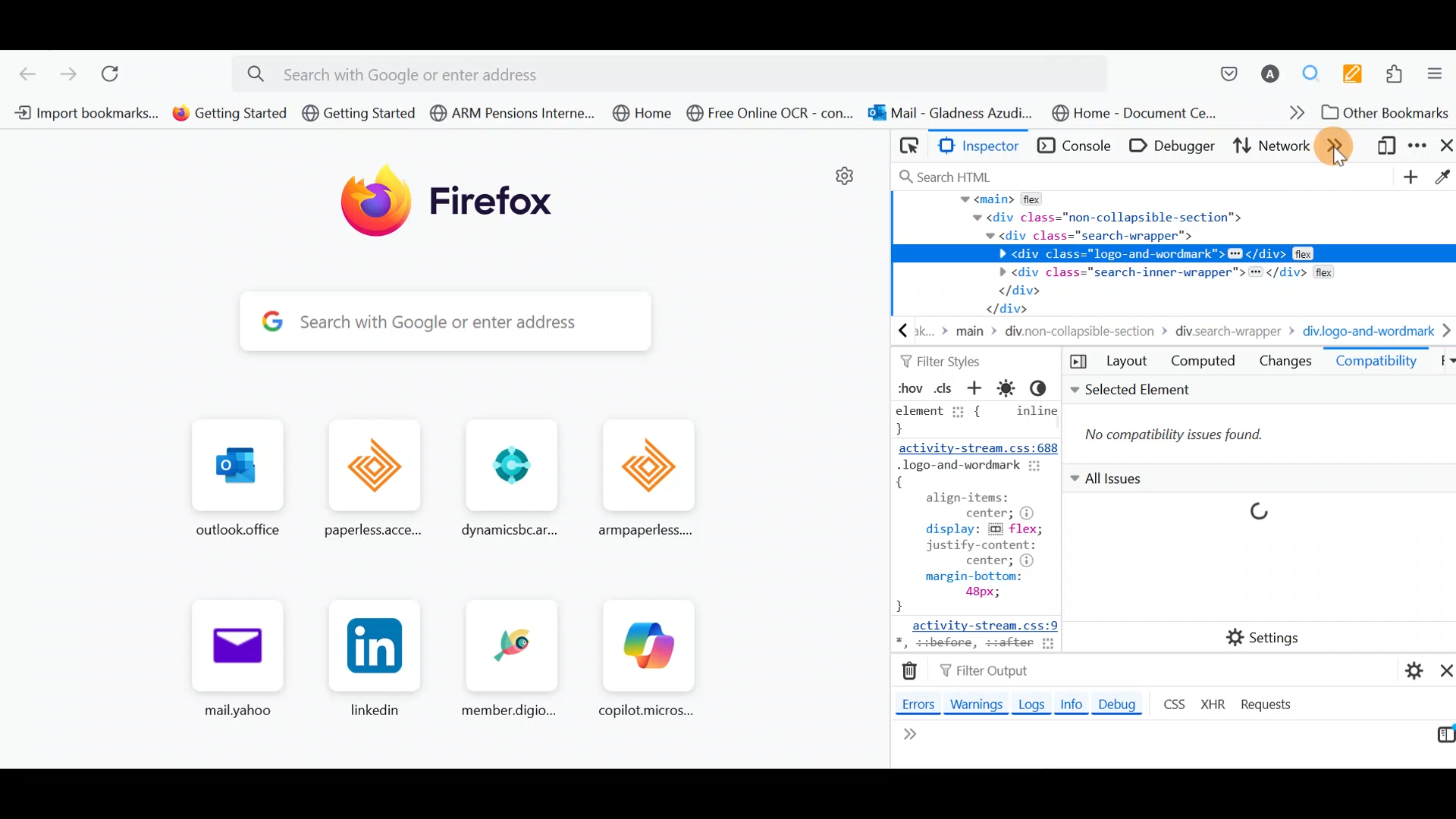 The height and width of the screenshot is (819, 1456). Describe the element at coordinates (359, 113) in the screenshot. I see `Bookmark 3` at that location.